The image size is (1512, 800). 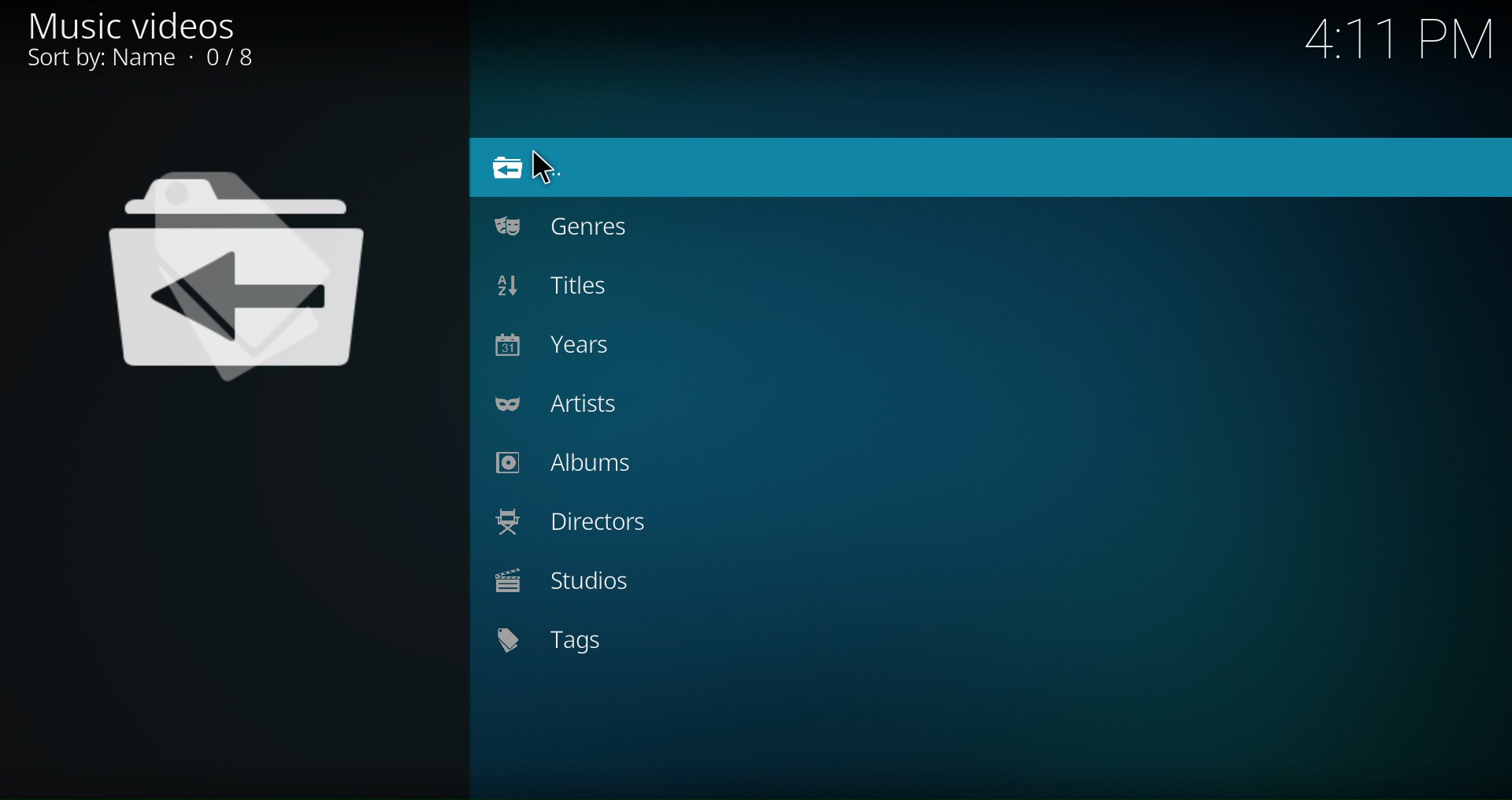 I want to click on 4:11 PM, so click(x=1400, y=41).